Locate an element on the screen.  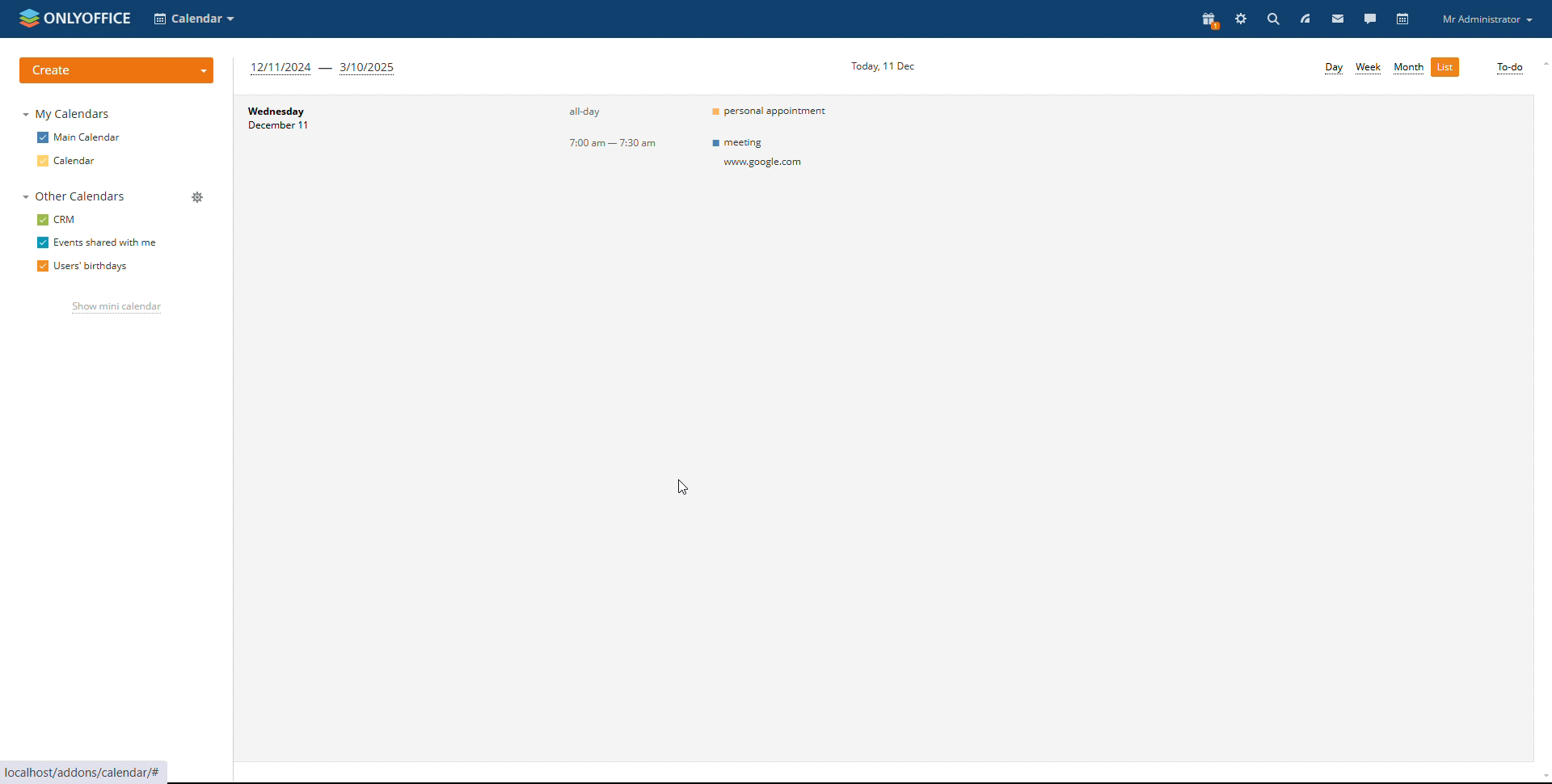
select application is located at coordinates (194, 18).